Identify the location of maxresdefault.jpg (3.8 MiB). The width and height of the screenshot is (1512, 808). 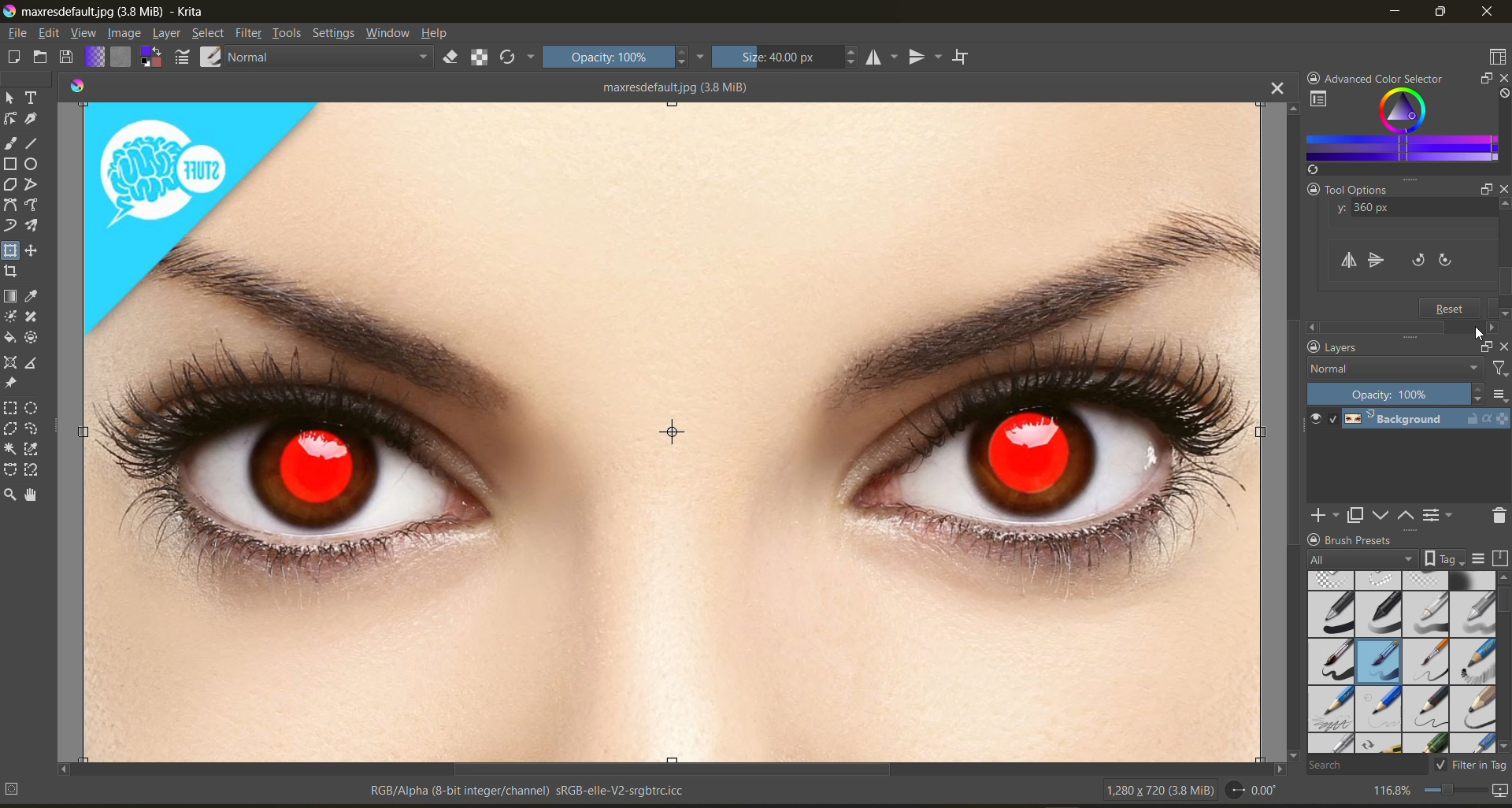
(670, 87).